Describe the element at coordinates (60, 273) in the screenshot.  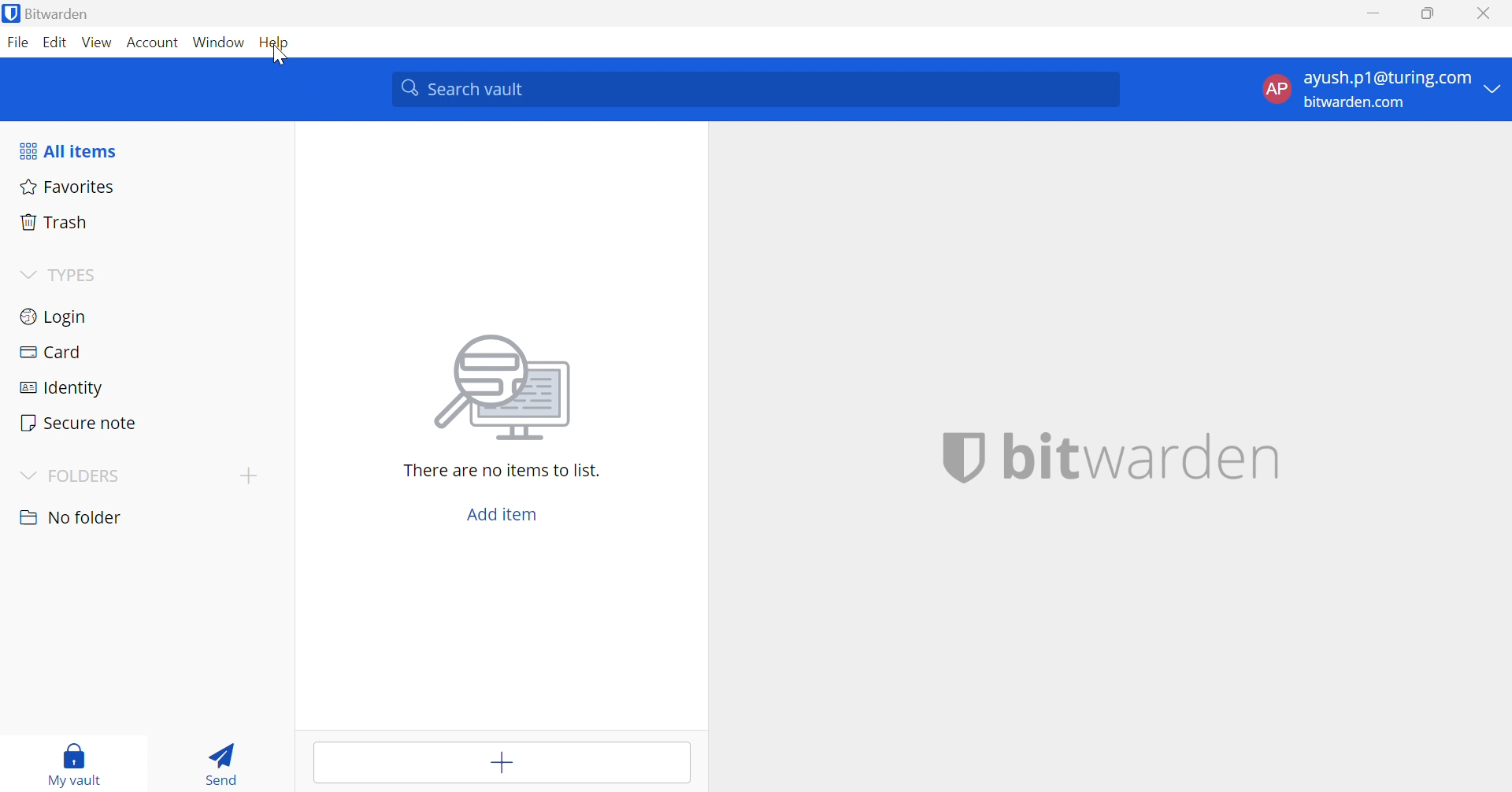
I see `TYPES` at that location.